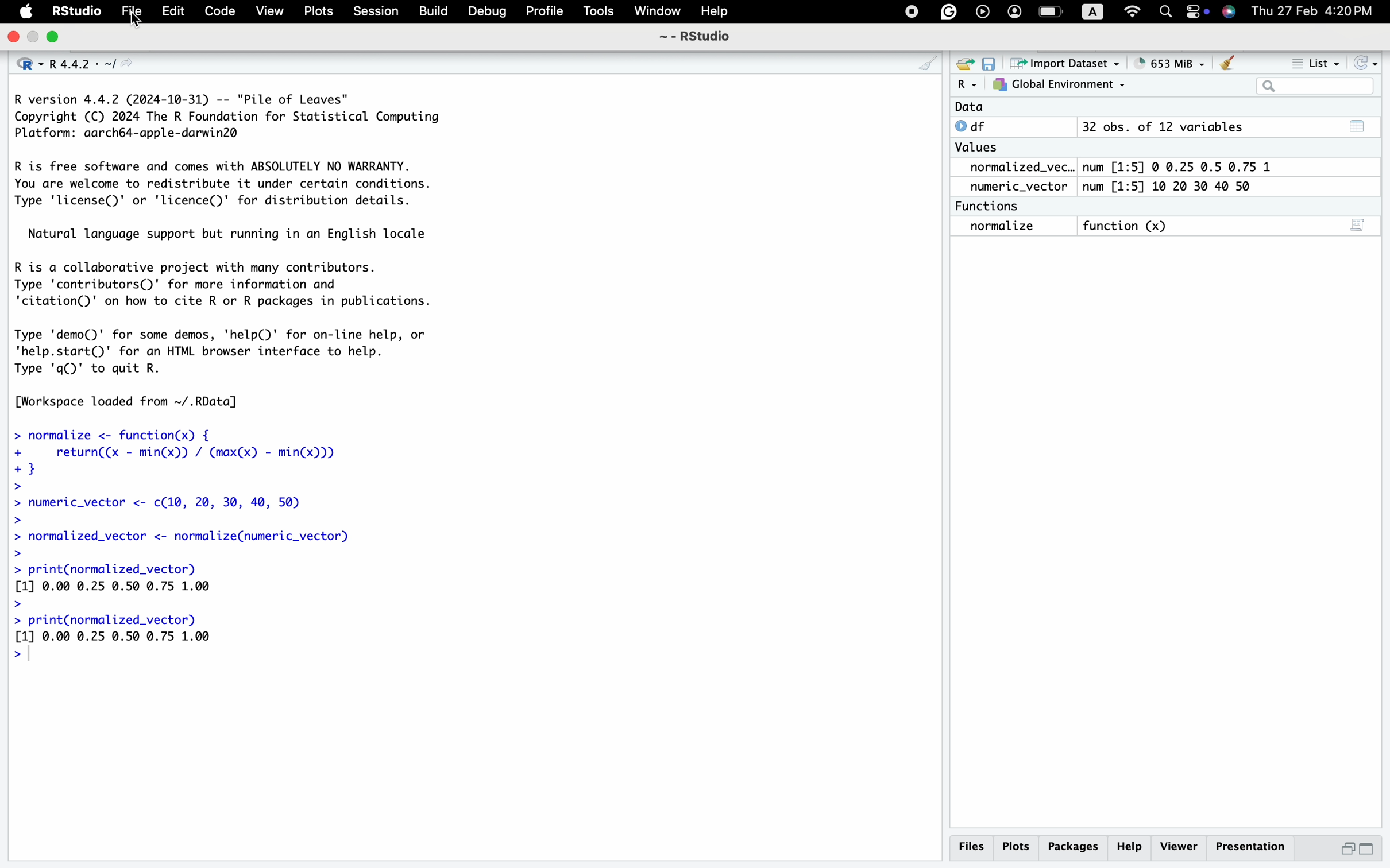  I want to click on Plots, so click(321, 11).